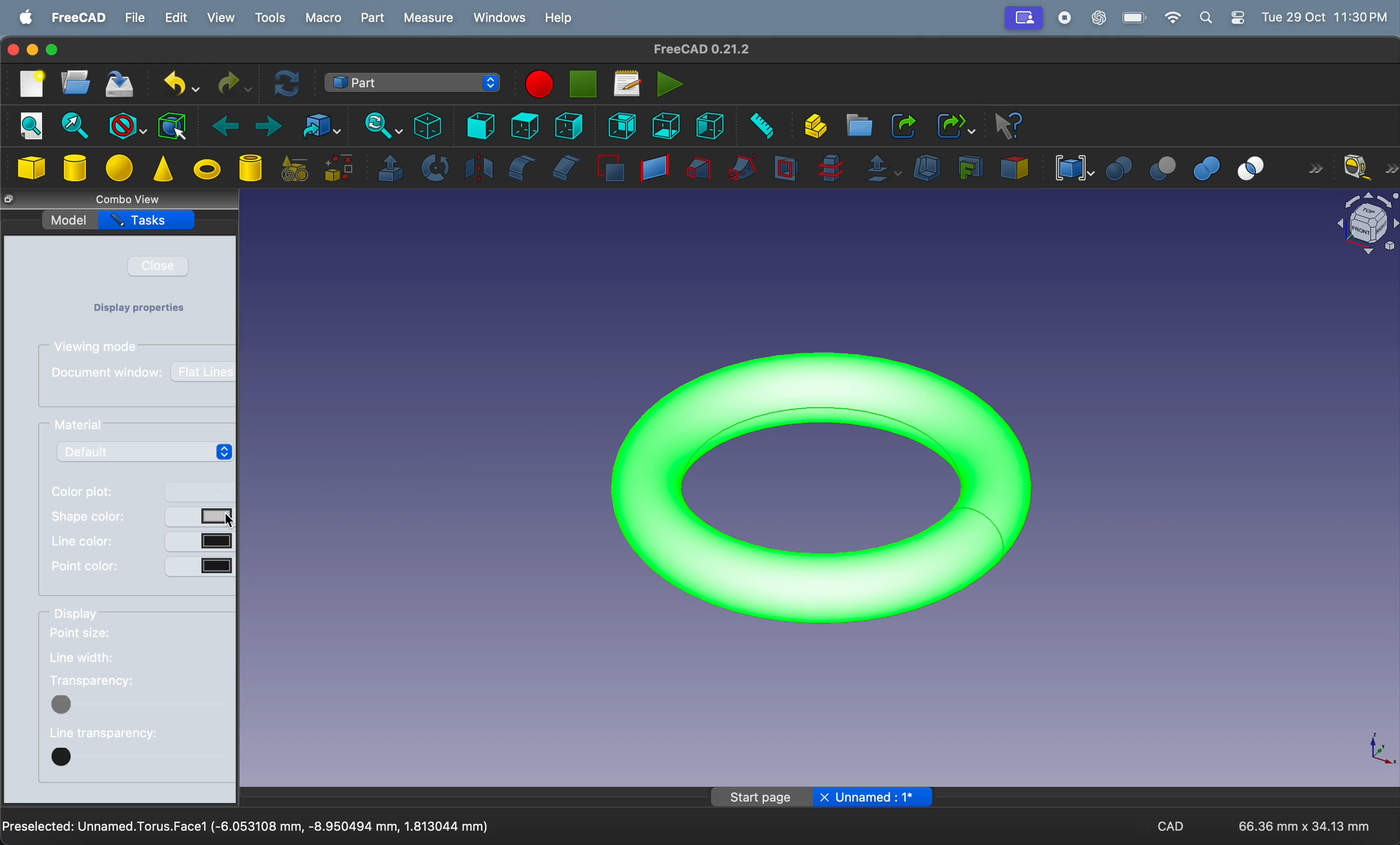 This screenshot has height=845, width=1400. What do you see at coordinates (137, 756) in the screenshot?
I see `button` at bounding box center [137, 756].